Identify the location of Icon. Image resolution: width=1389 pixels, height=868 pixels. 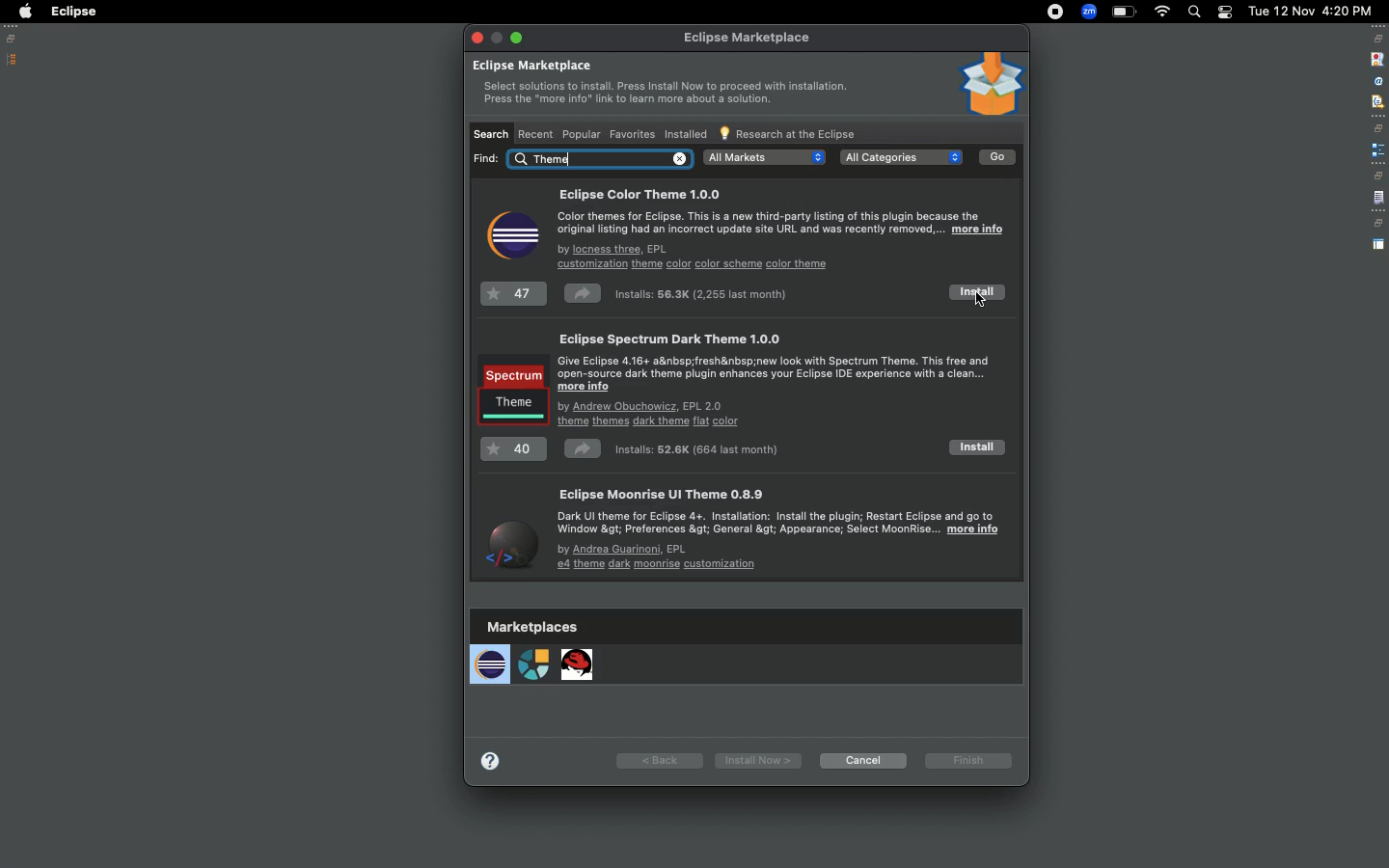
(508, 542).